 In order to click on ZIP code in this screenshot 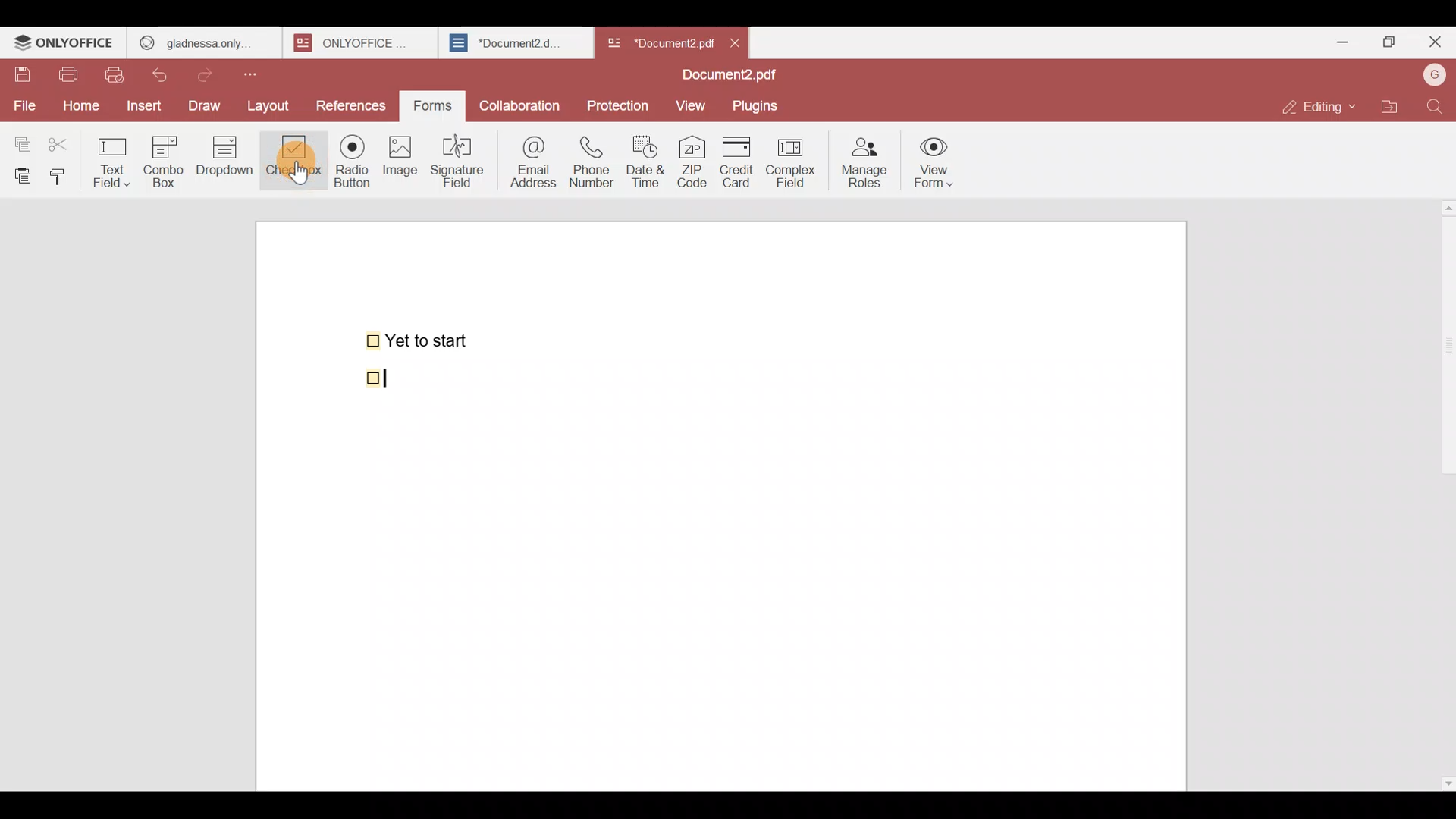, I will do `click(692, 163)`.